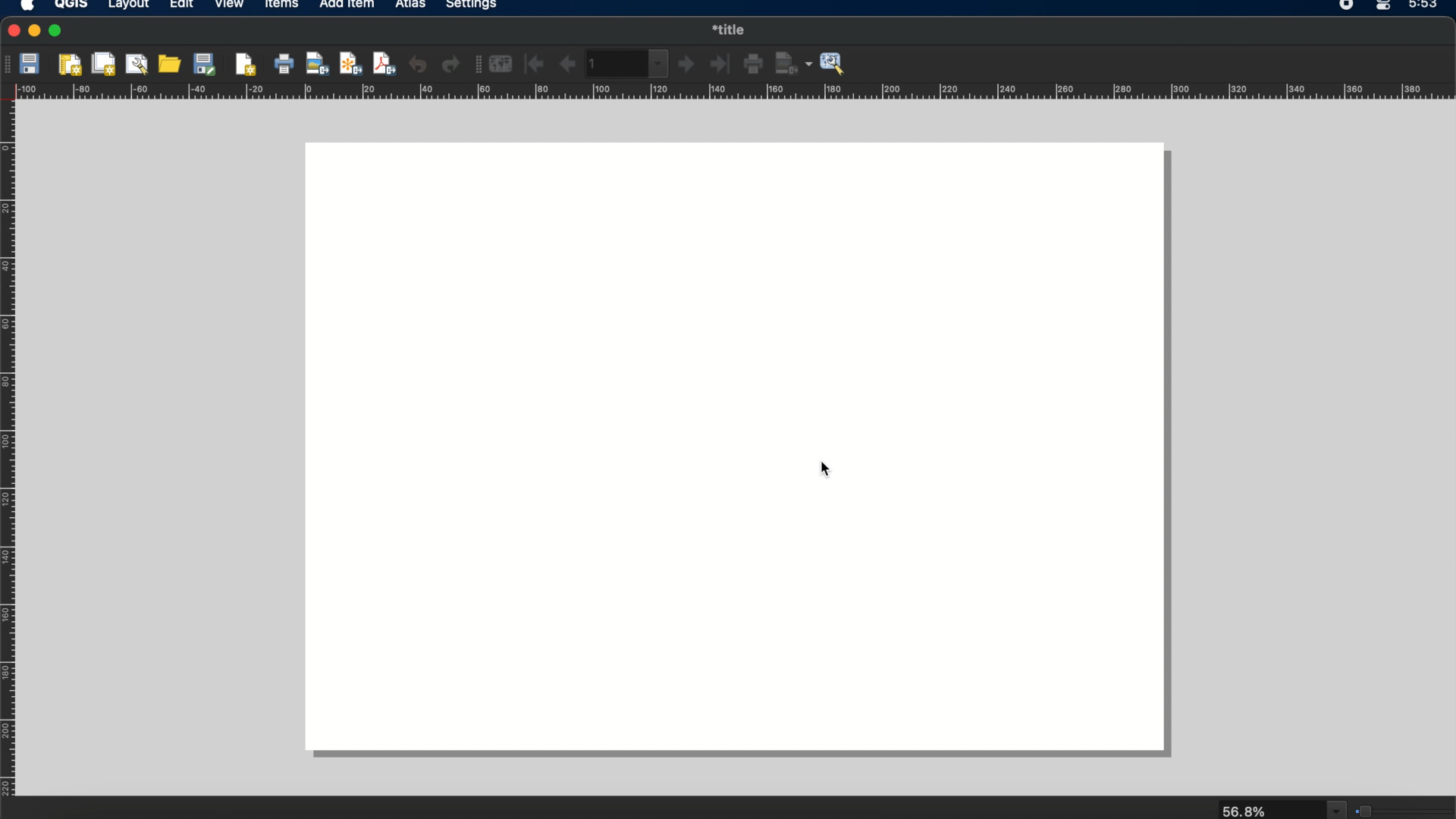 This screenshot has height=819, width=1456. What do you see at coordinates (231, 6) in the screenshot?
I see `view` at bounding box center [231, 6].